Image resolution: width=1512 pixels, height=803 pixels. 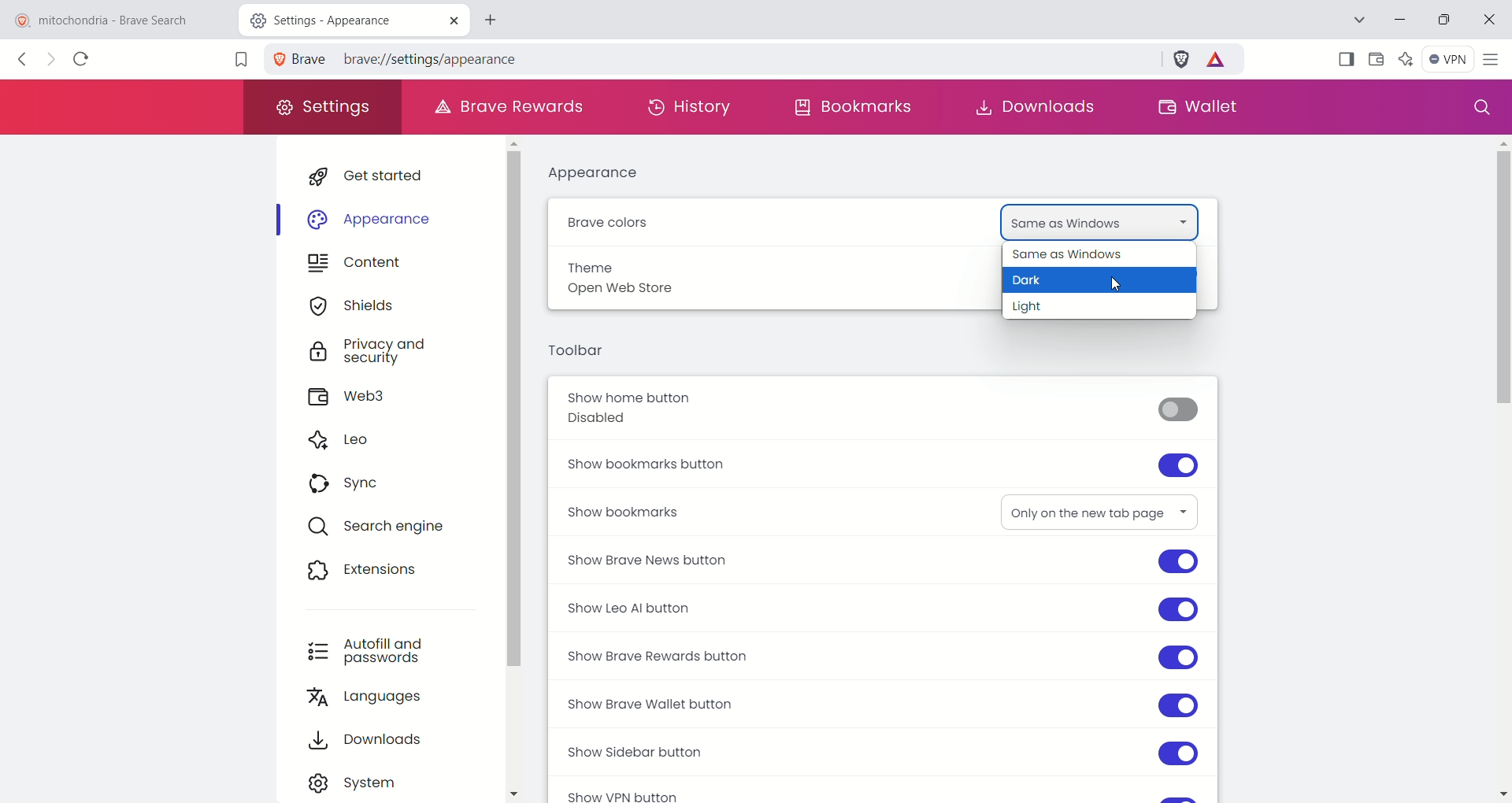 What do you see at coordinates (1094, 256) in the screenshot?
I see `same as windows` at bounding box center [1094, 256].